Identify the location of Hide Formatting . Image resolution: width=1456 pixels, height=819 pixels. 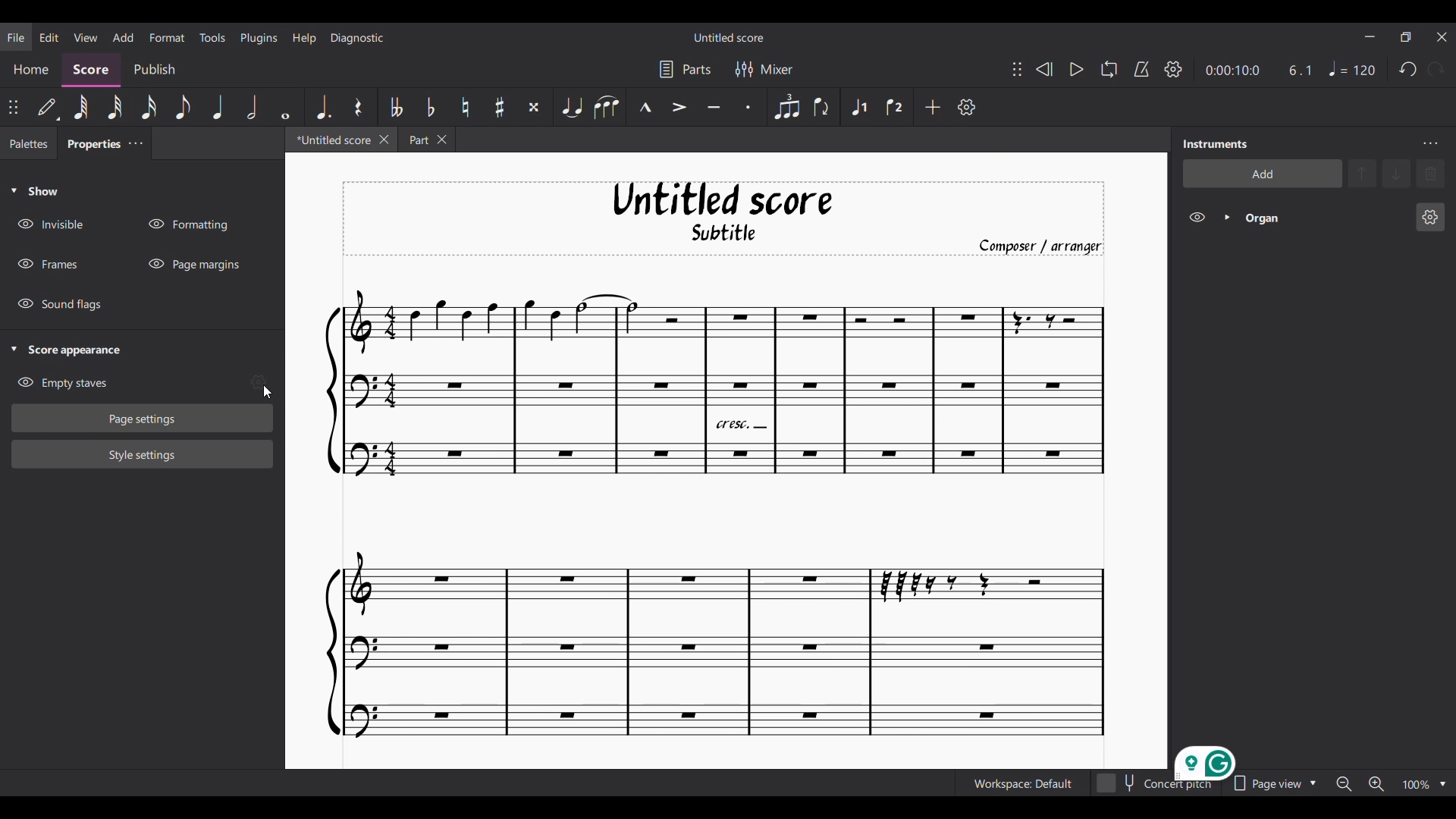
(187, 224).